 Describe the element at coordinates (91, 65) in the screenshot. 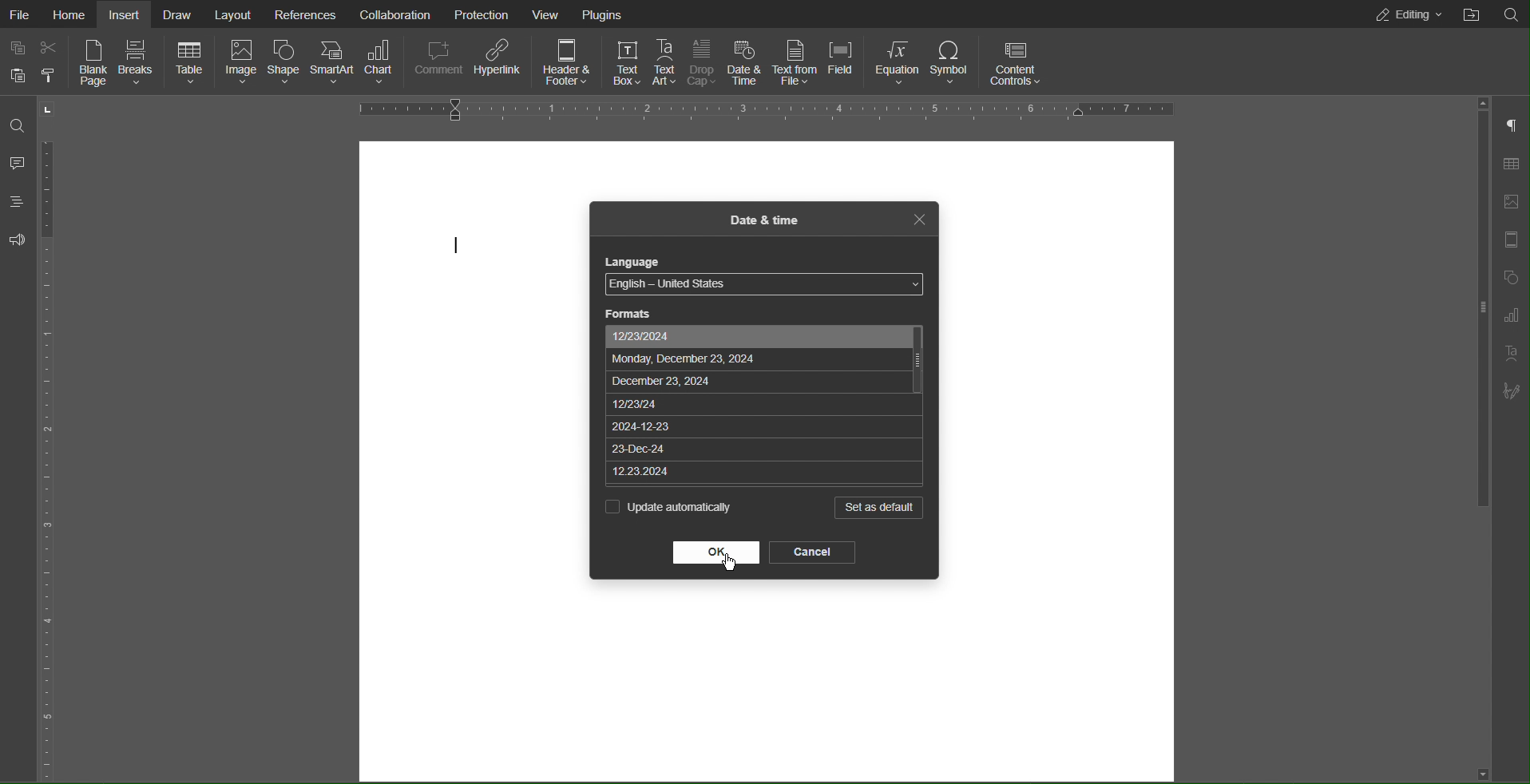

I see `Blank Page` at that location.